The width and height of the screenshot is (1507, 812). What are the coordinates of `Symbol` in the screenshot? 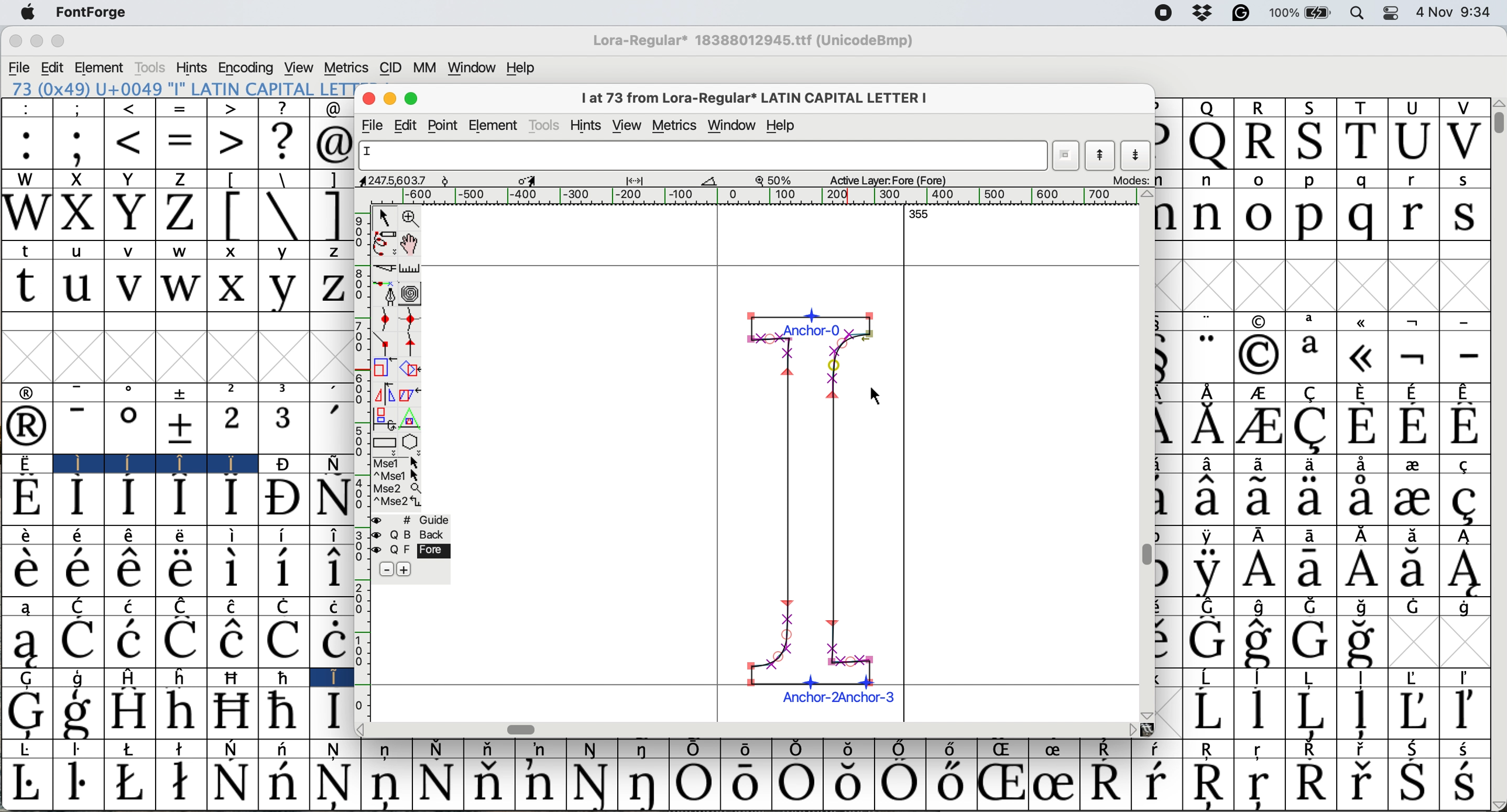 It's located at (1414, 391).